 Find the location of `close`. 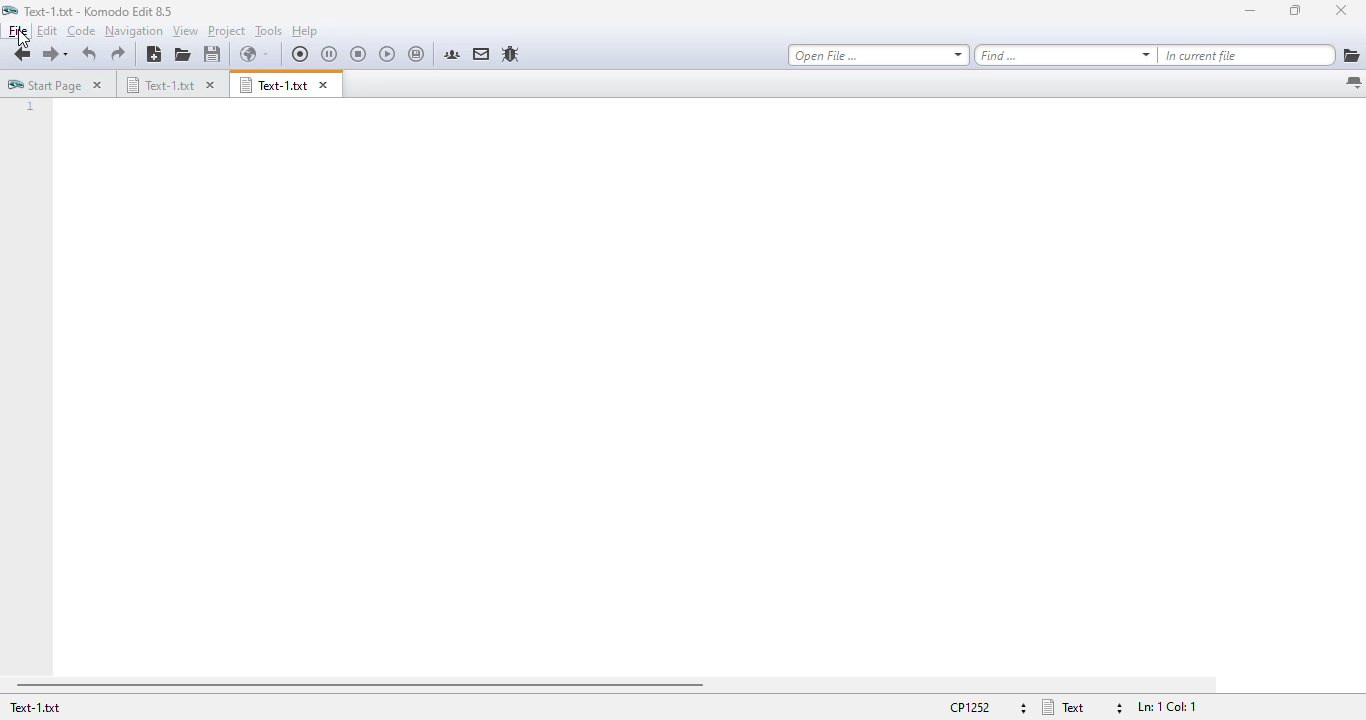

close is located at coordinates (1340, 10).